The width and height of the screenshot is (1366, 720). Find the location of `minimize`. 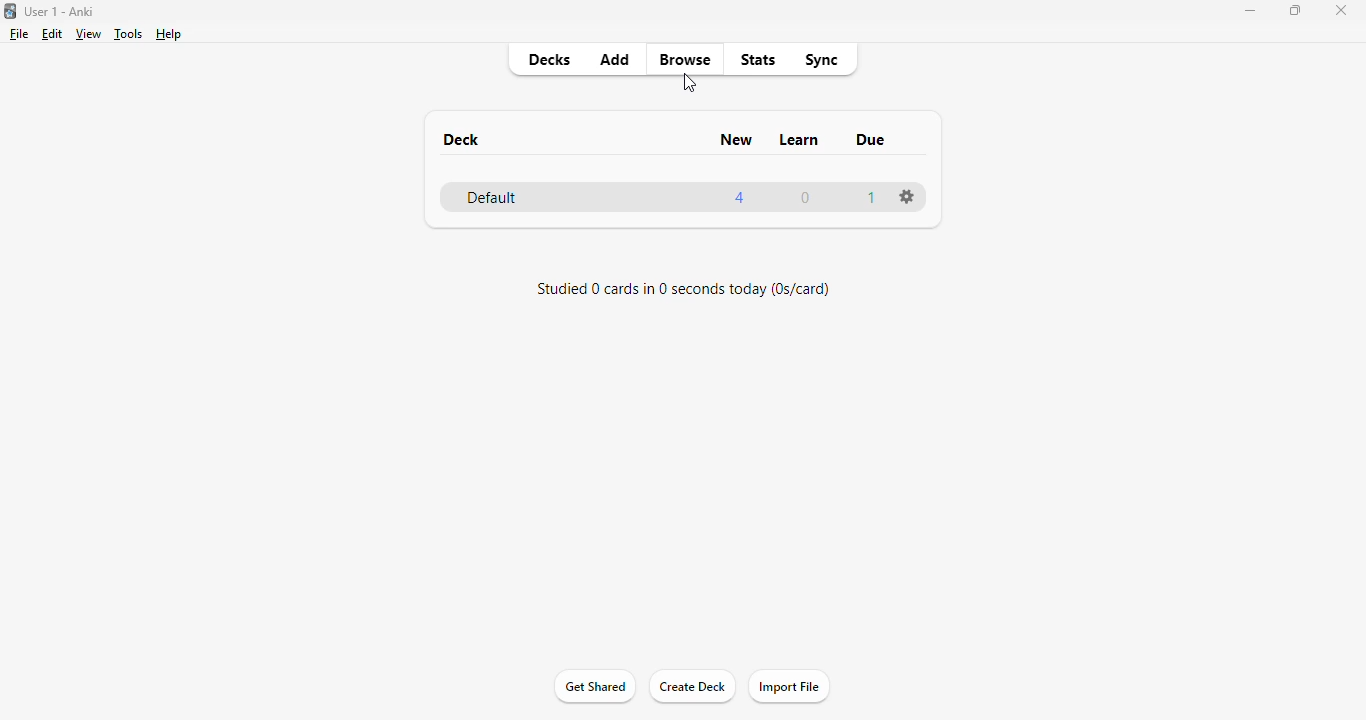

minimize is located at coordinates (1249, 11).